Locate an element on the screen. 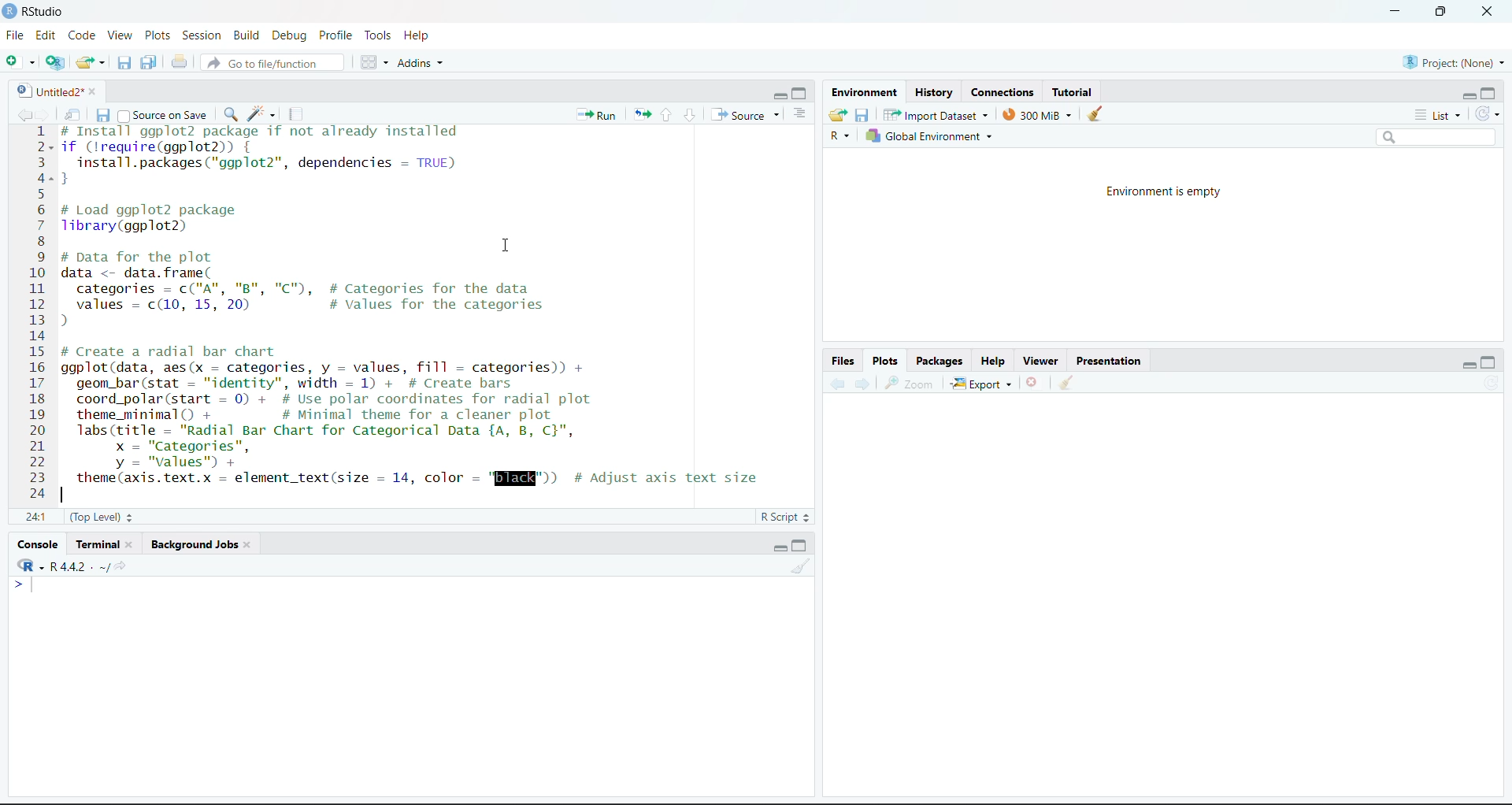 The width and height of the screenshot is (1512, 805). refresh is located at coordinates (1489, 116).